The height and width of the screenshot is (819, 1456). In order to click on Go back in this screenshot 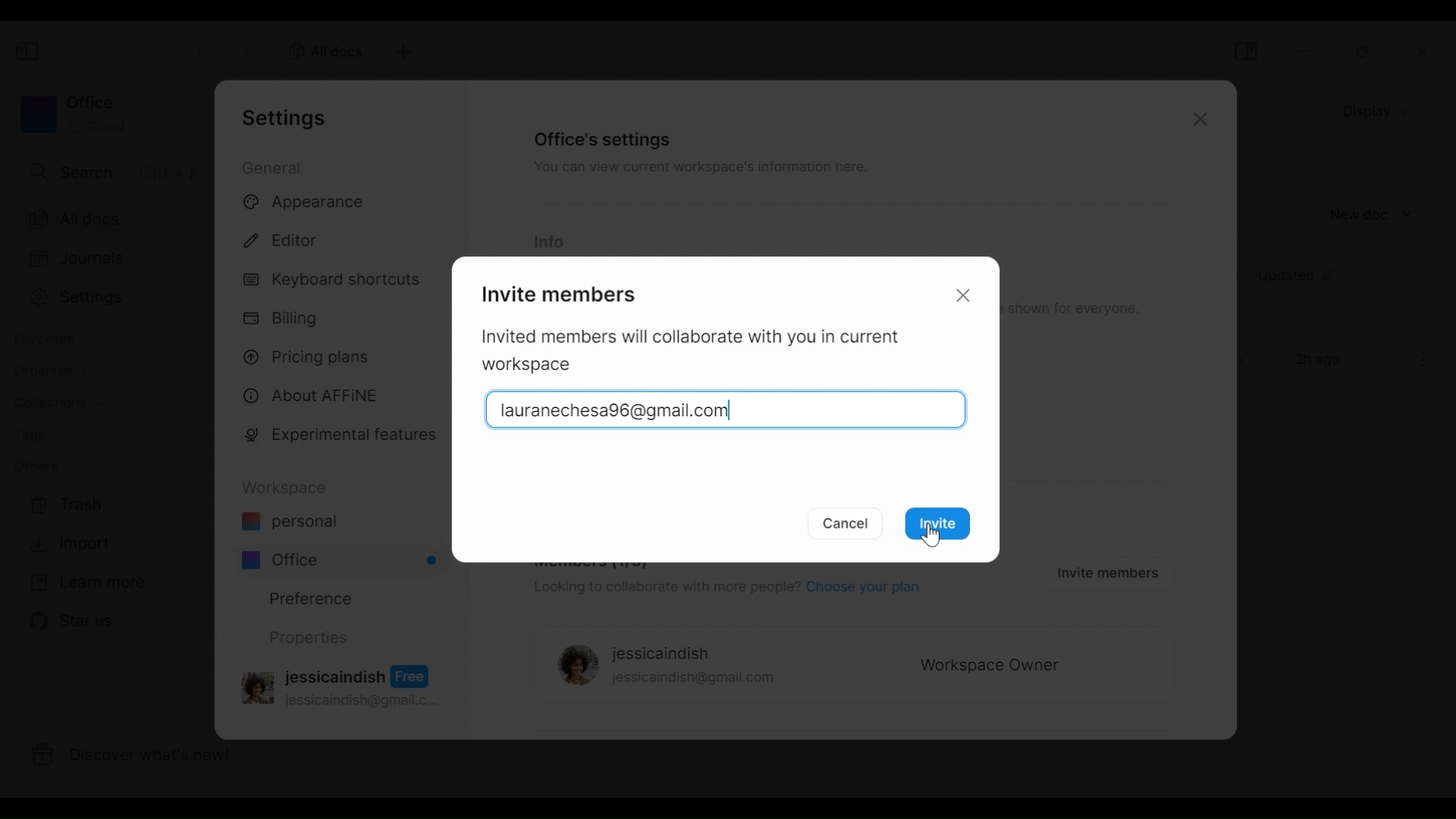, I will do `click(203, 49)`.